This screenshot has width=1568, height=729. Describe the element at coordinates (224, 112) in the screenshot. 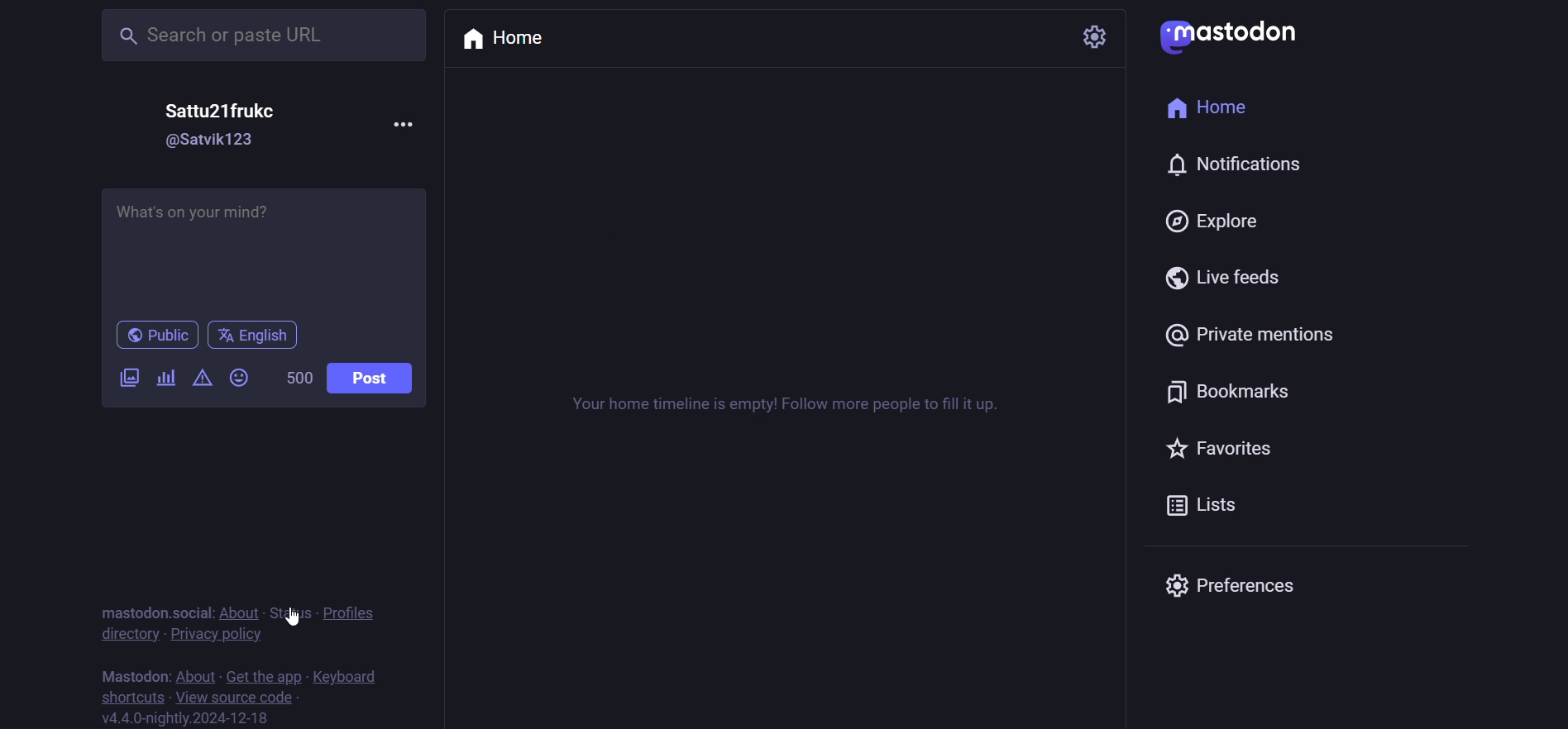

I see `name` at that location.